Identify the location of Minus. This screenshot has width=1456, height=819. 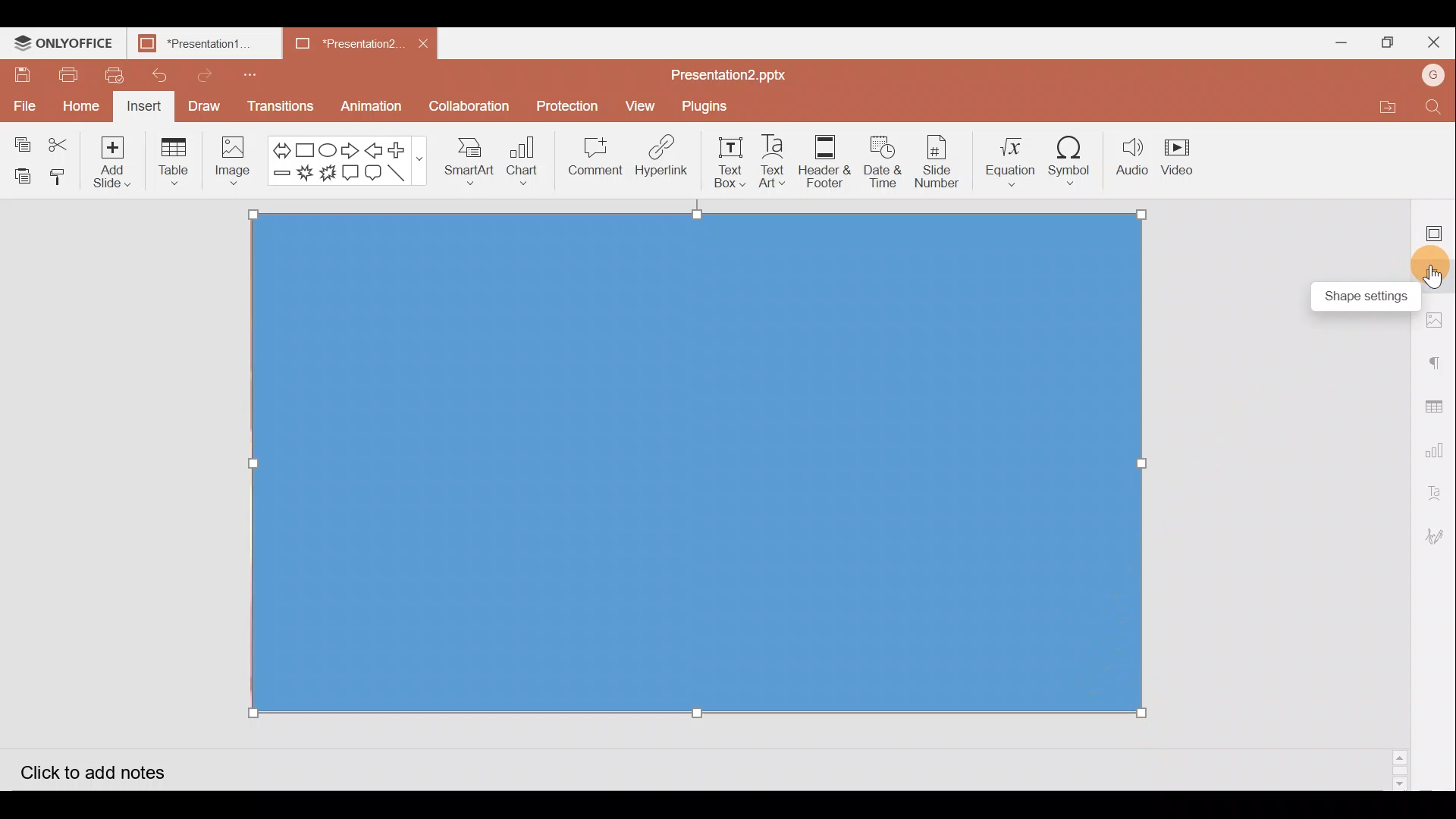
(281, 177).